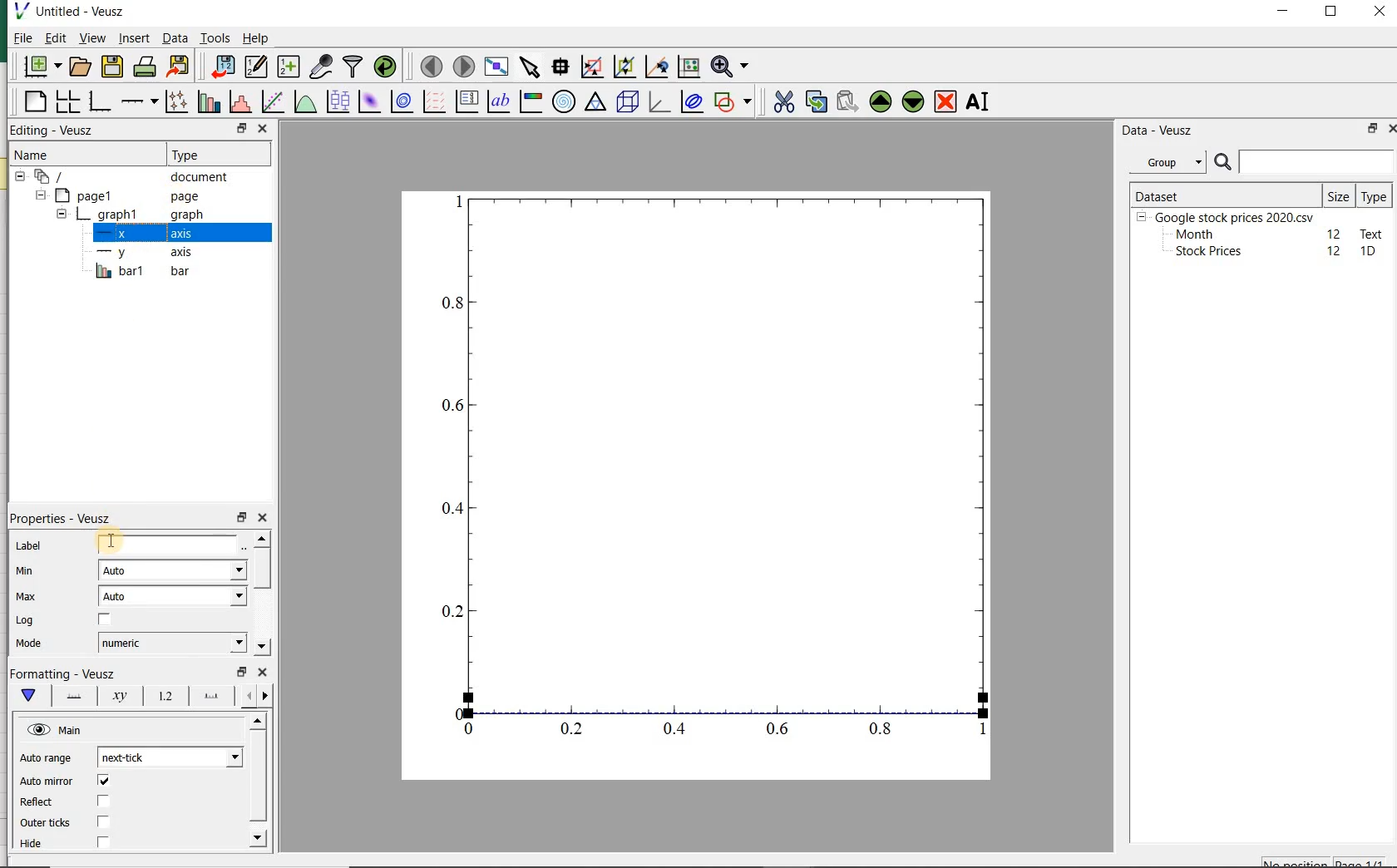  Describe the element at coordinates (1228, 216) in the screenshot. I see `Google stock prices 2020.csv` at that location.